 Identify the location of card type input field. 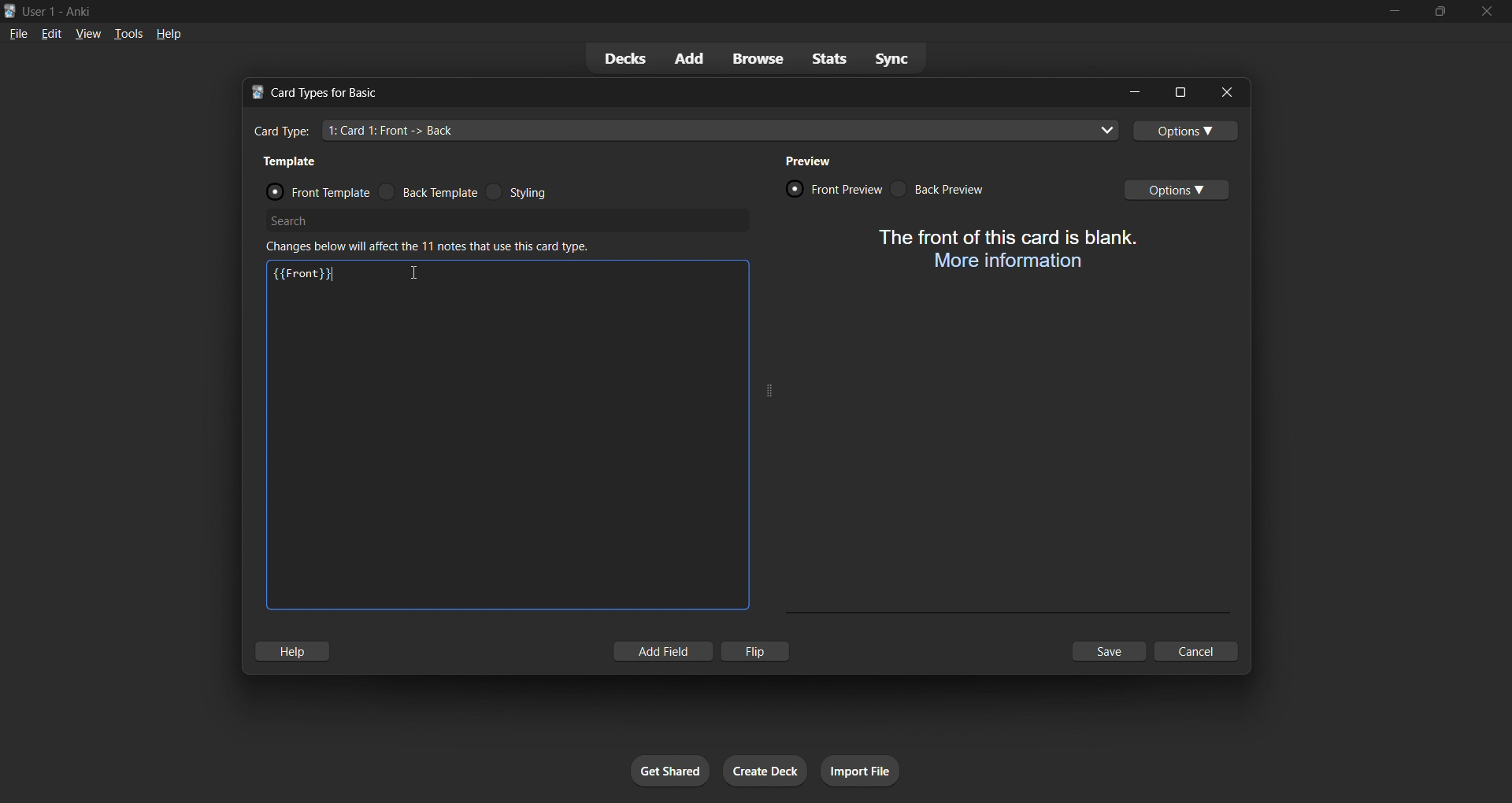
(685, 131).